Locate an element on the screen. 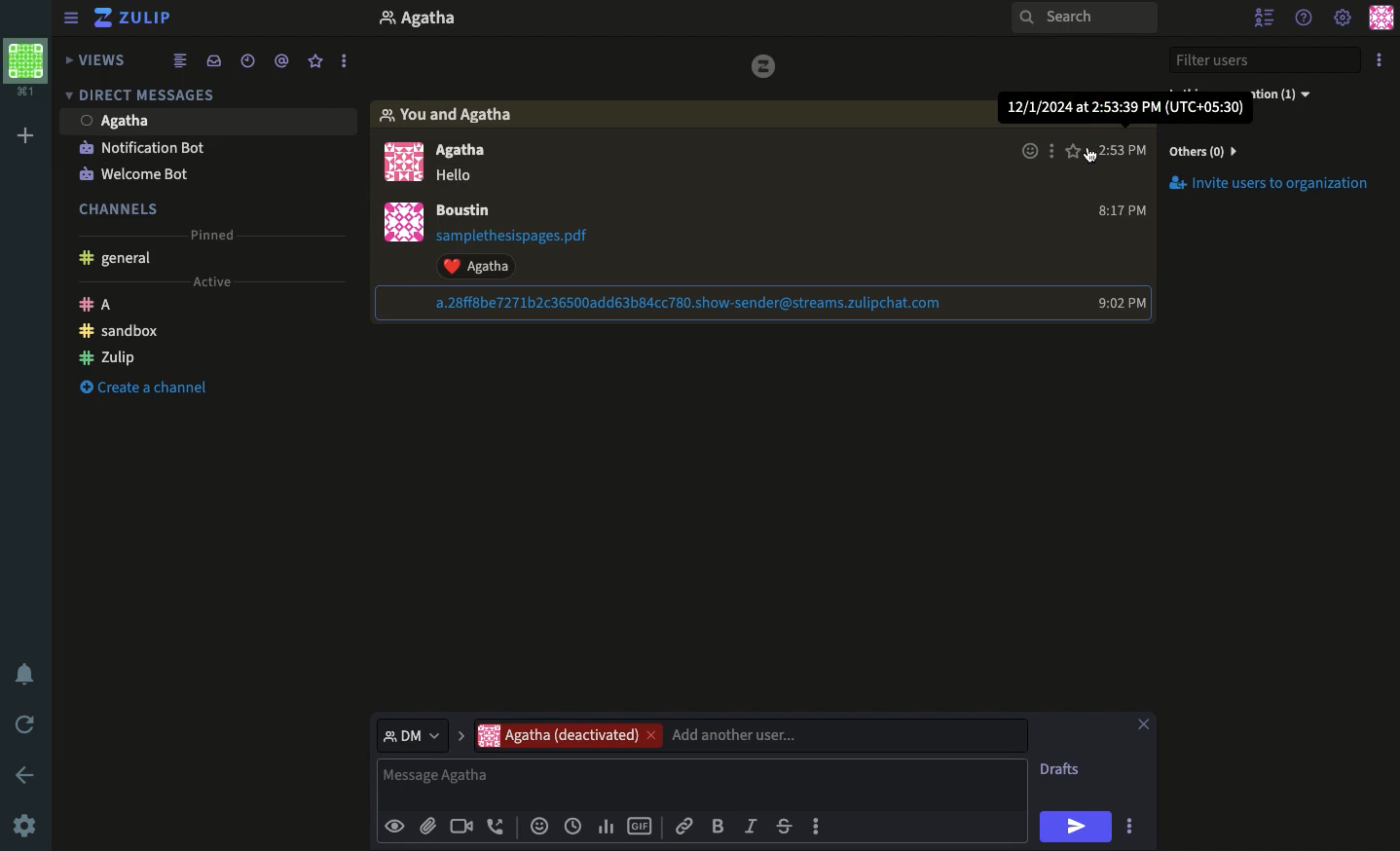  Zulip is located at coordinates (107, 357).